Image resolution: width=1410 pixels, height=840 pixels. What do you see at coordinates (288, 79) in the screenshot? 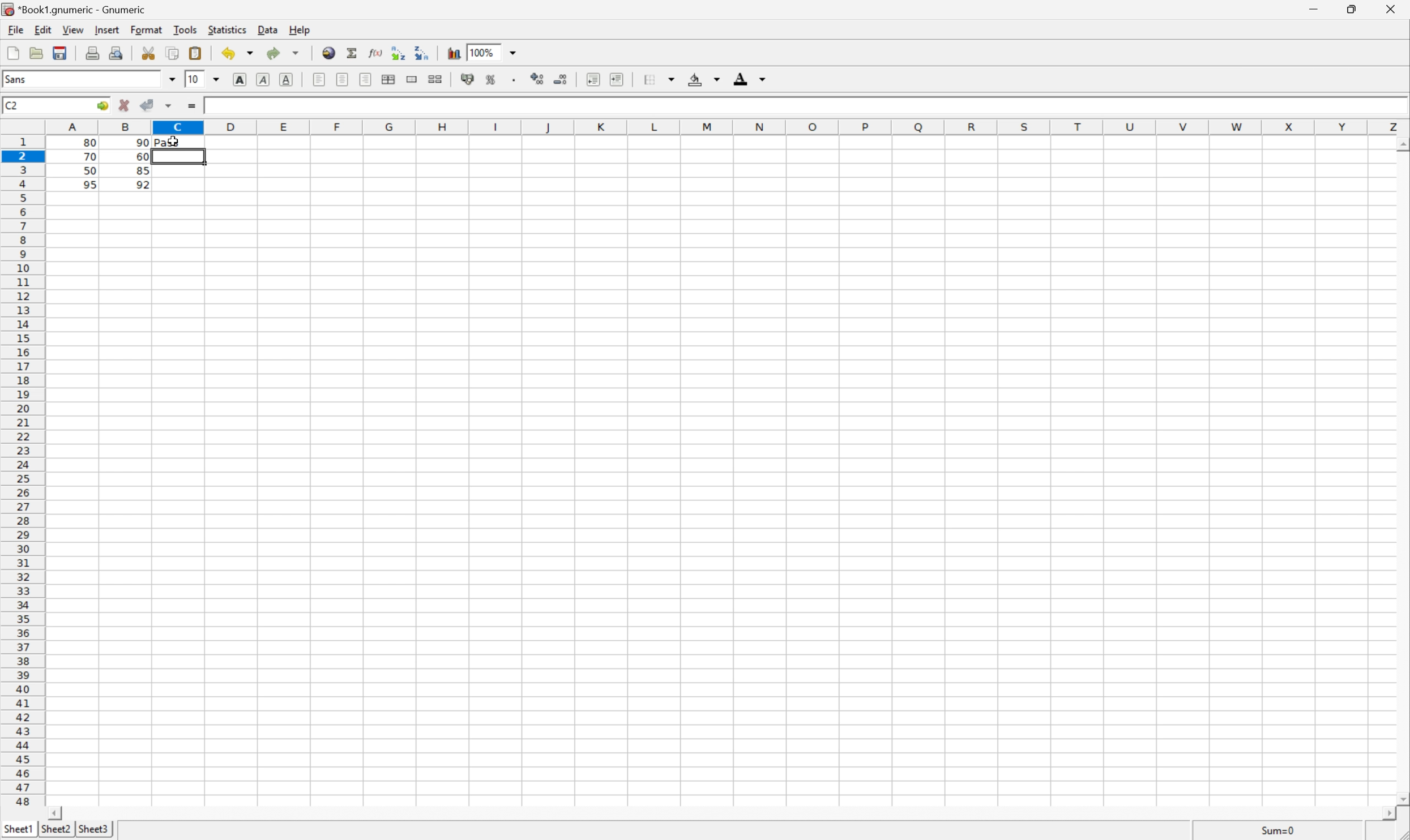
I see `Underline` at bounding box center [288, 79].